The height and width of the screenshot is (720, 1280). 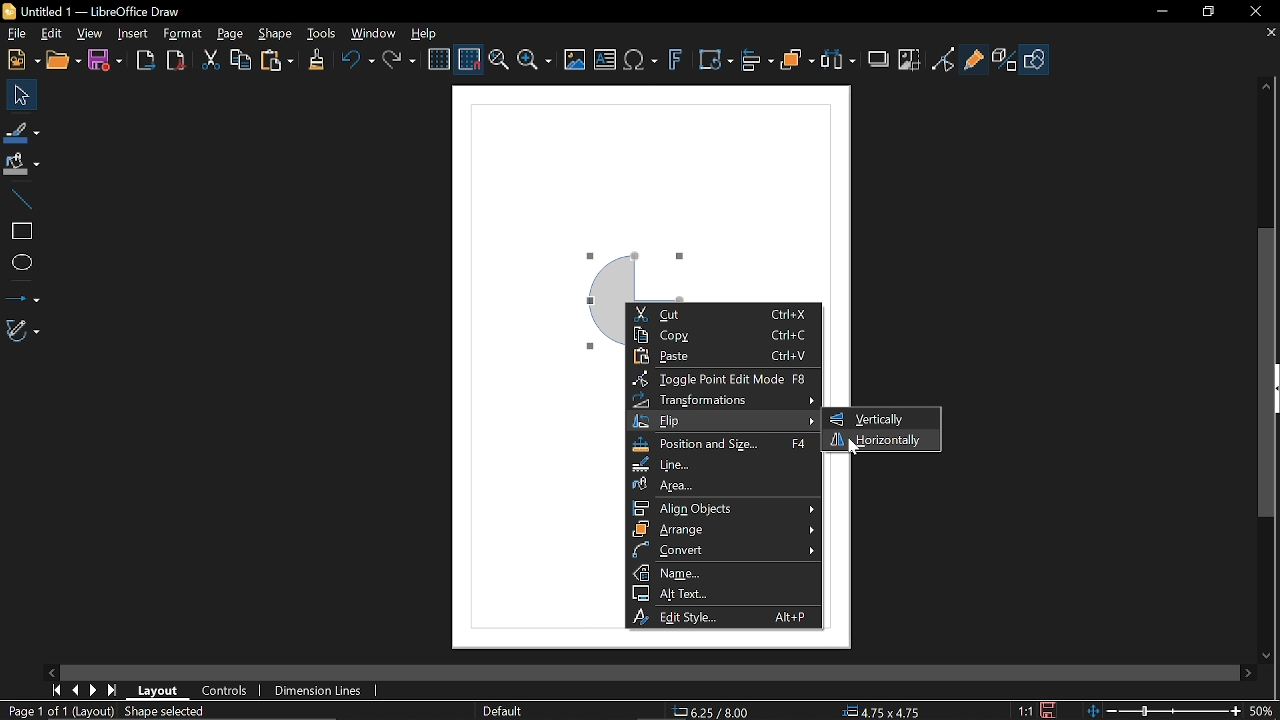 What do you see at coordinates (182, 35) in the screenshot?
I see `Format` at bounding box center [182, 35].